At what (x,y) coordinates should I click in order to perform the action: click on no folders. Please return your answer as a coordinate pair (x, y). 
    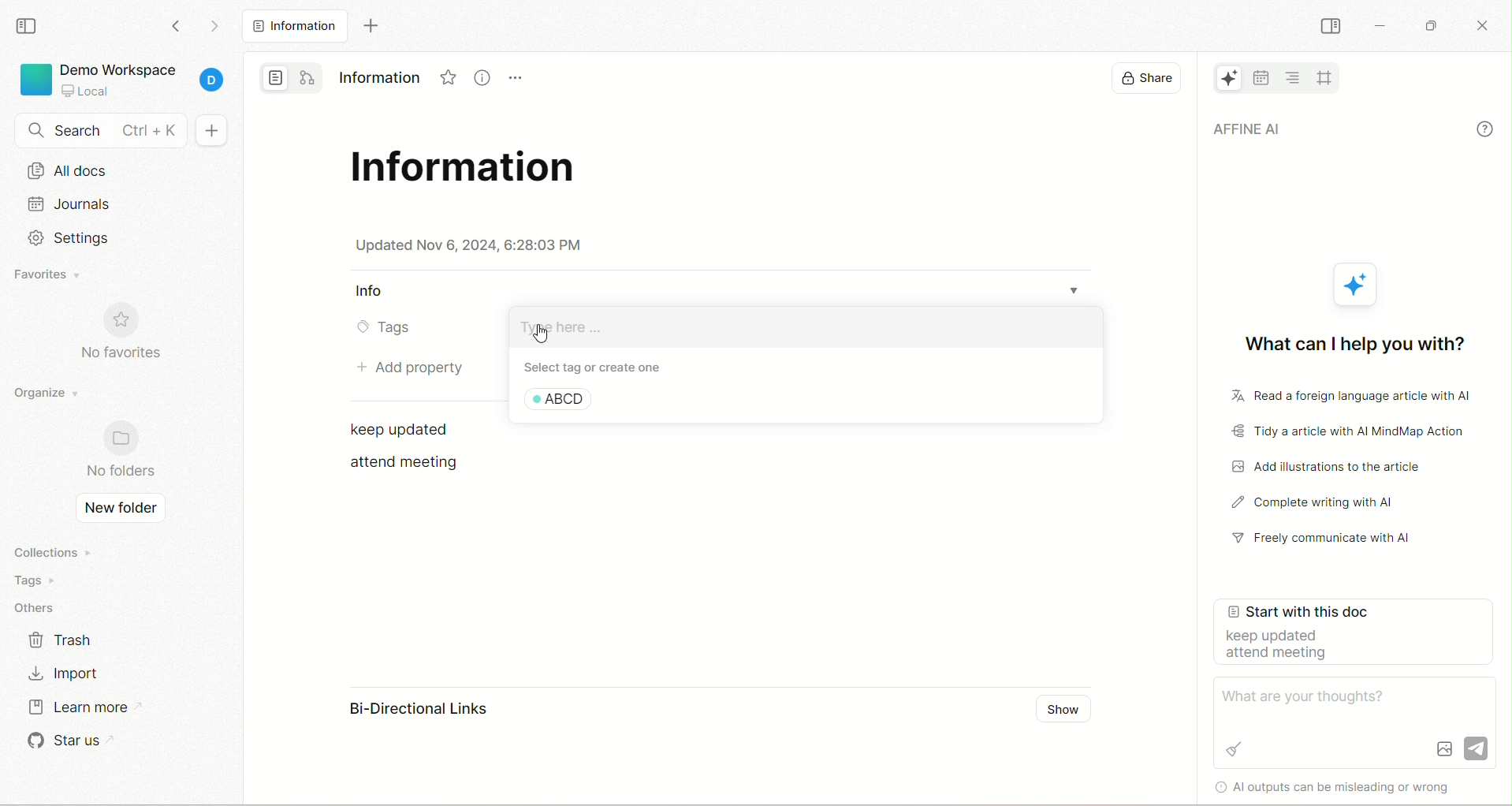
    Looking at the image, I should click on (119, 453).